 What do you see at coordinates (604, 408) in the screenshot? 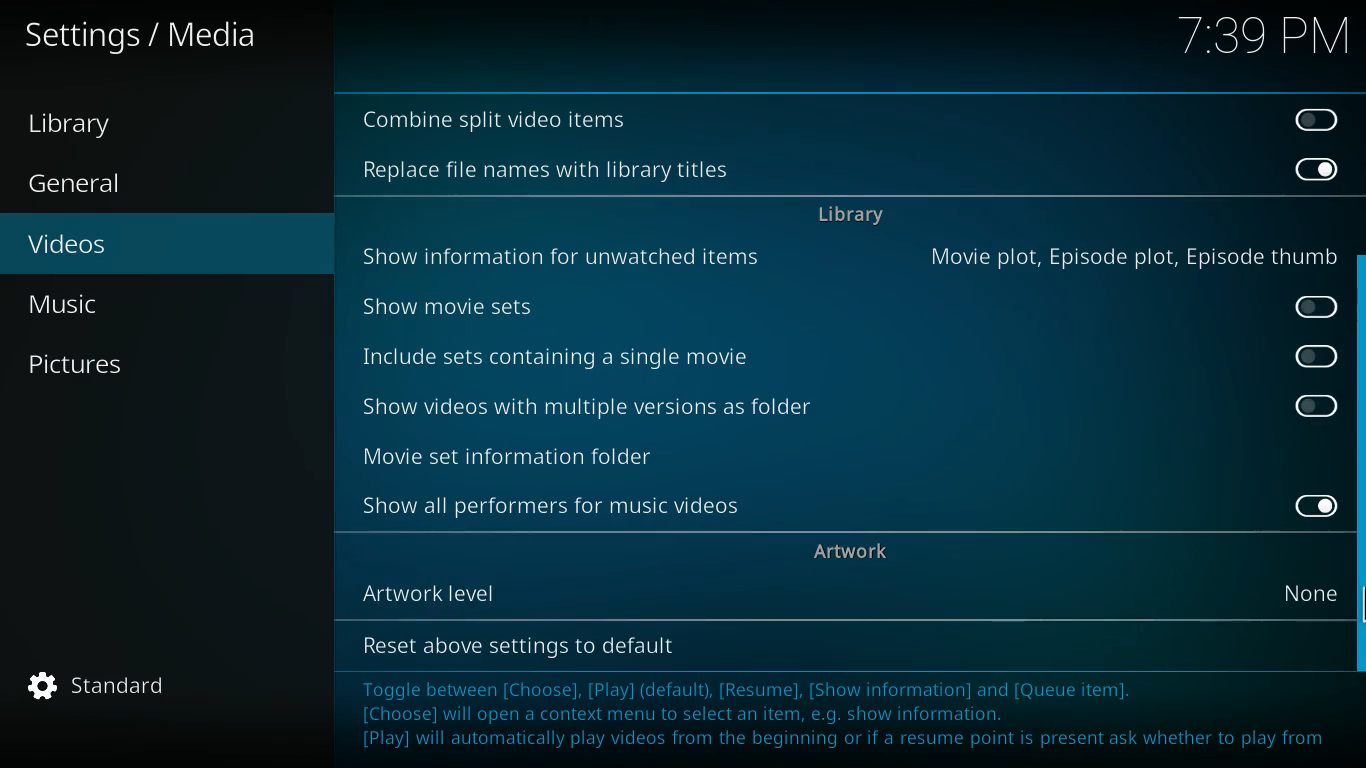
I see `show videos` at bounding box center [604, 408].